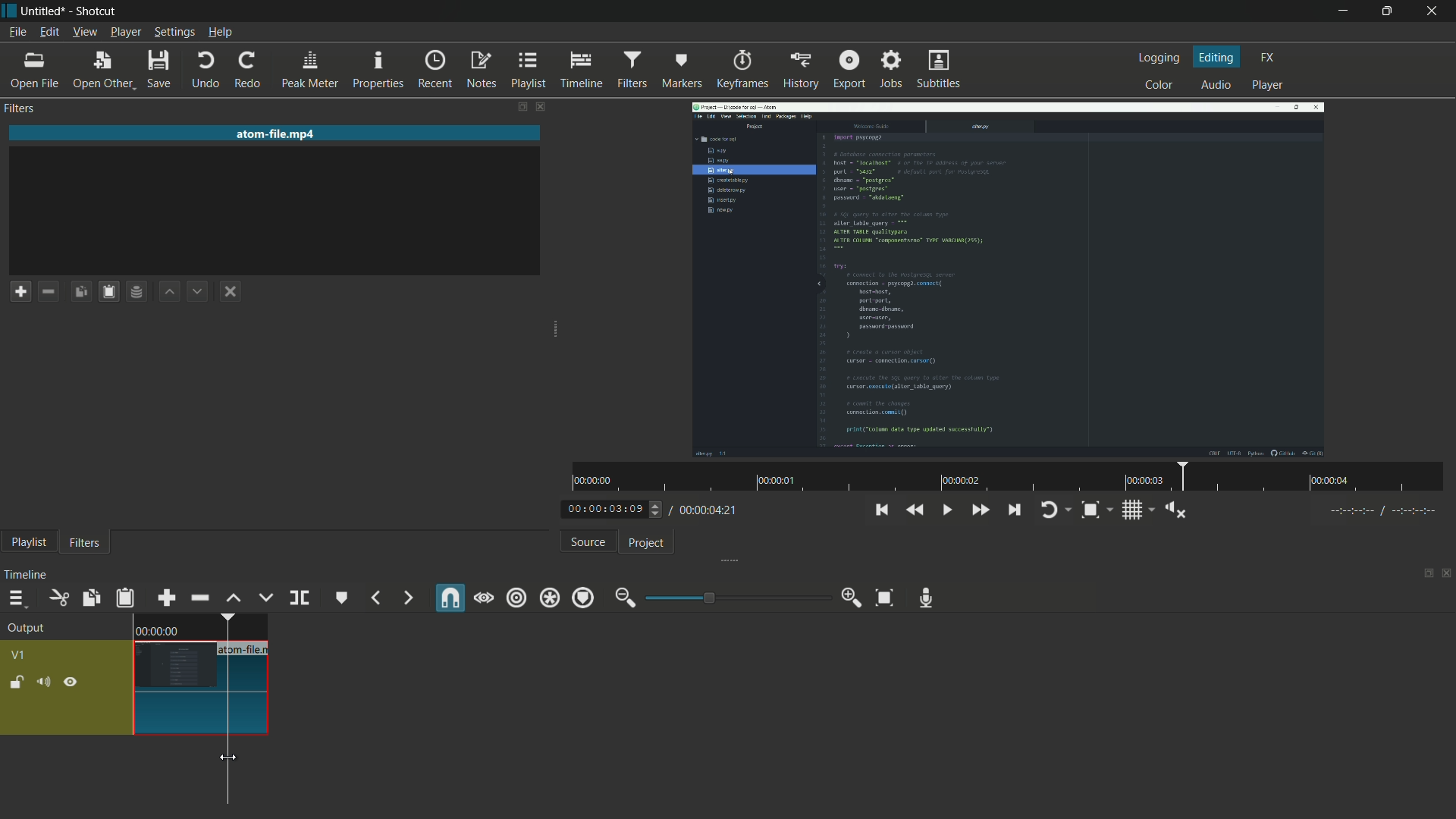 This screenshot has width=1456, height=819. Describe the element at coordinates (450, 598) in the screenshot. I see `snap` at that location.